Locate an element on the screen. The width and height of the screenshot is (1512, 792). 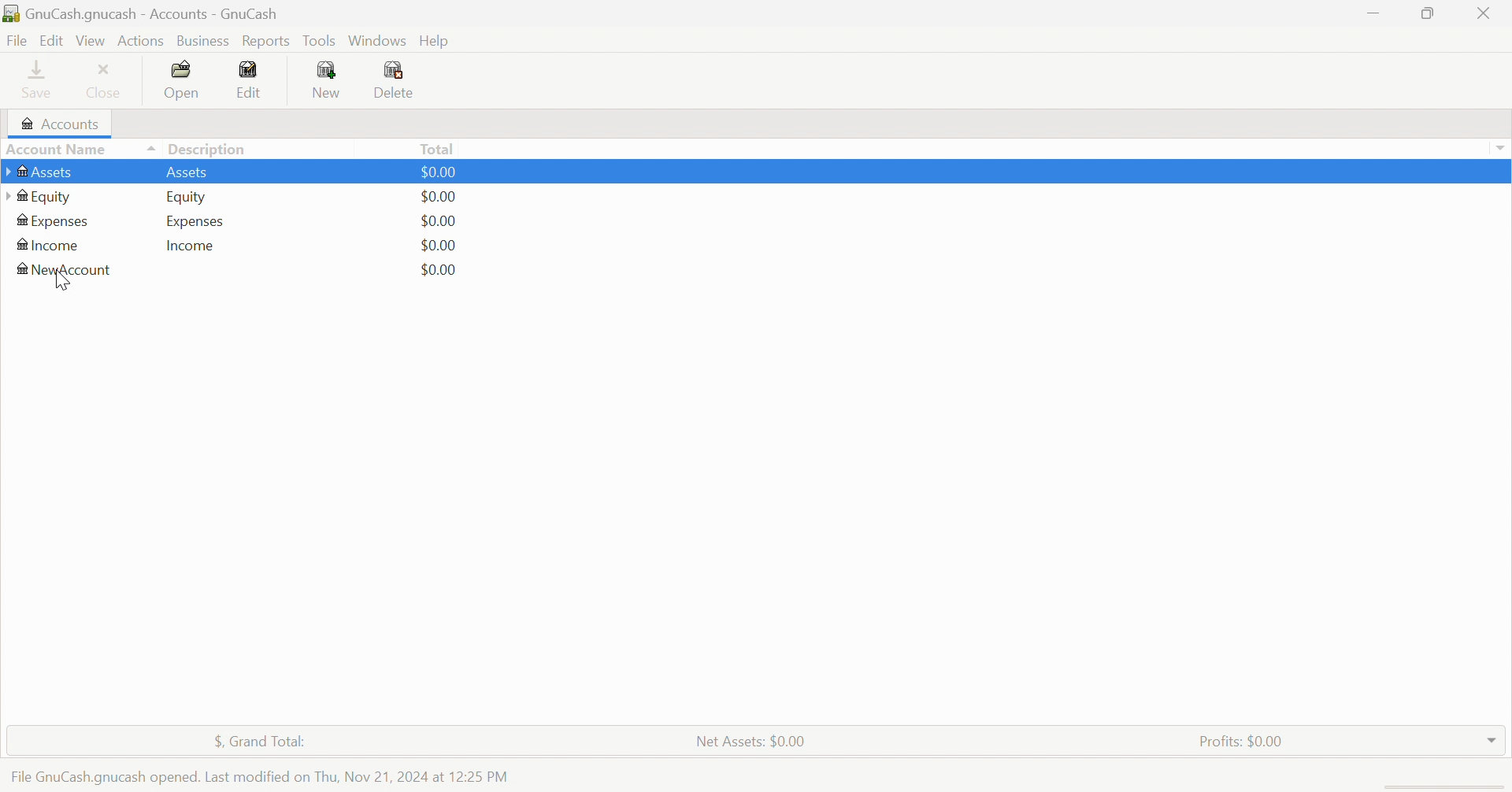
cursor is located at coordinates (61, 283).